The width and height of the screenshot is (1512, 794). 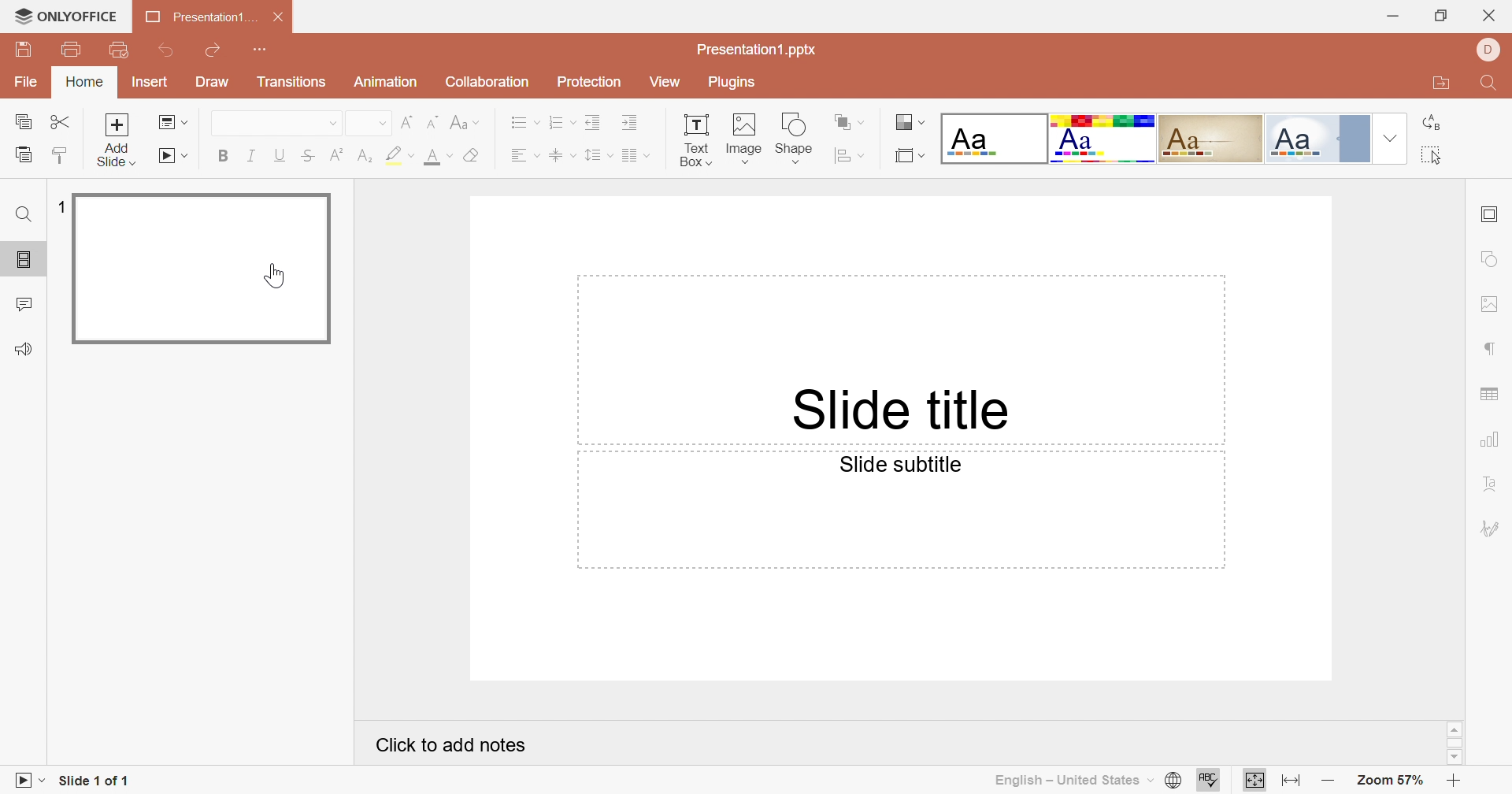 What do you see at coordinates (280, 278) in the screenshot?
I see `cursor` at bounding box center [280, 278].